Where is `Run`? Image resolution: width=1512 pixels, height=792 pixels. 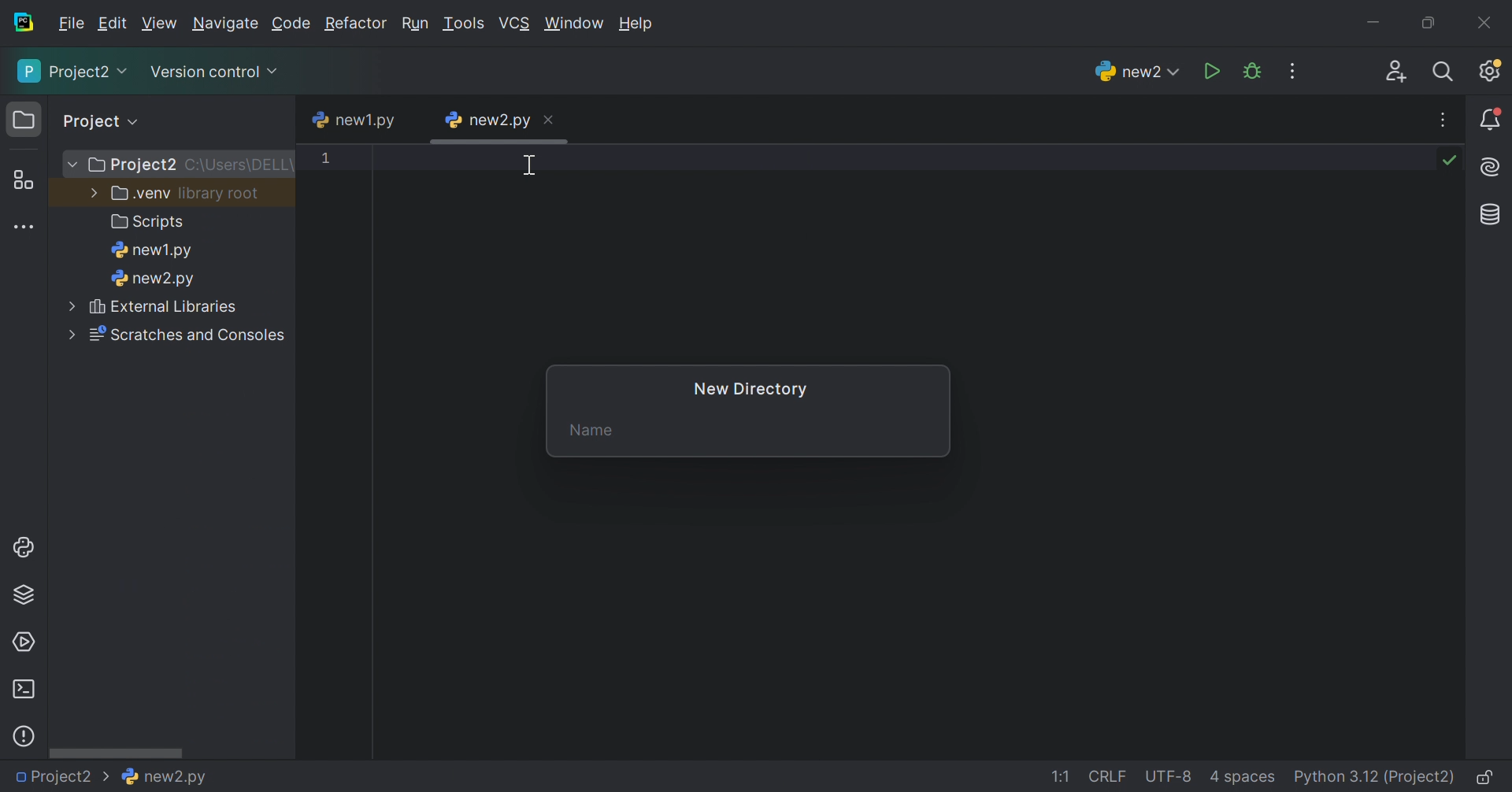 Run is located at coordinates (418, 24).